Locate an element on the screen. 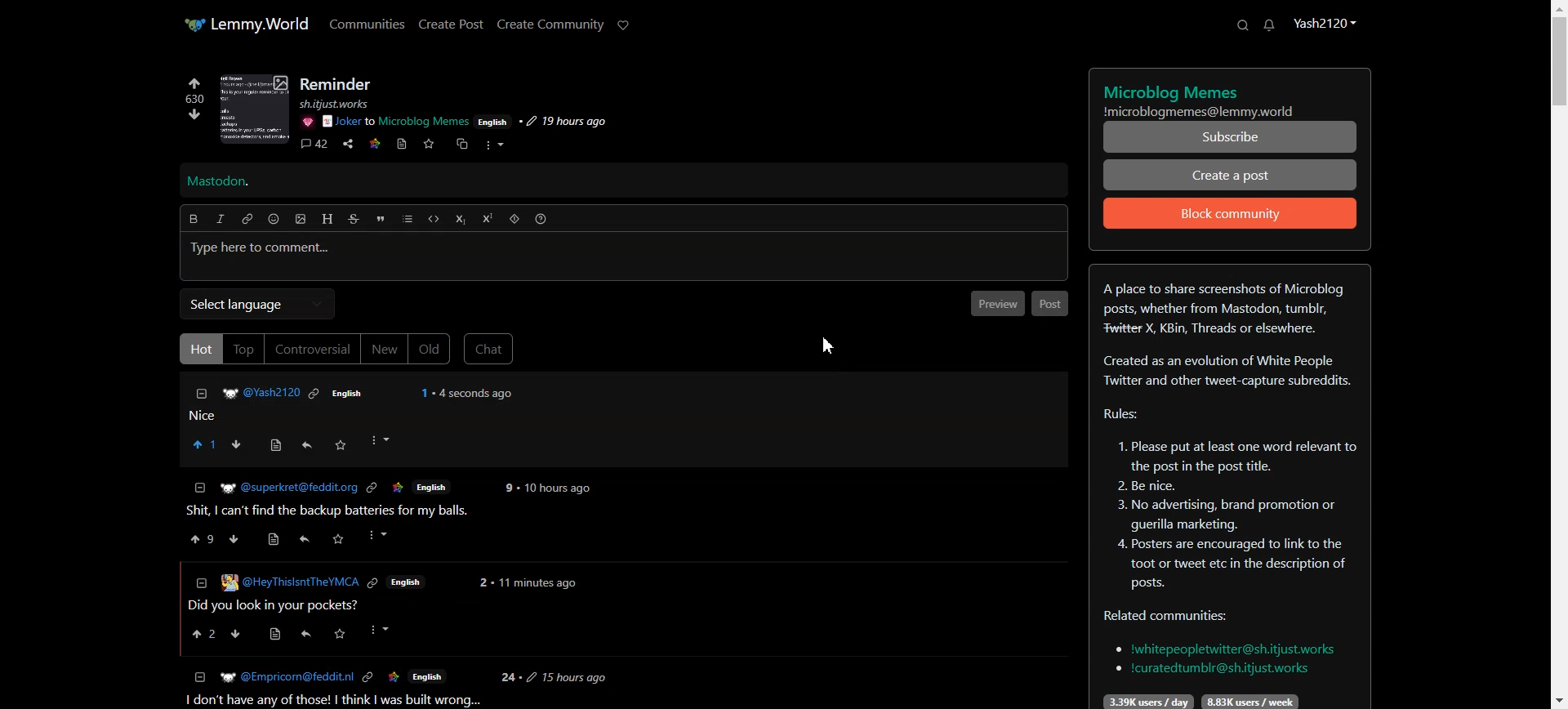 The image size is (1568, 709). 4 seconds ago is located at coordinates (477, 392).